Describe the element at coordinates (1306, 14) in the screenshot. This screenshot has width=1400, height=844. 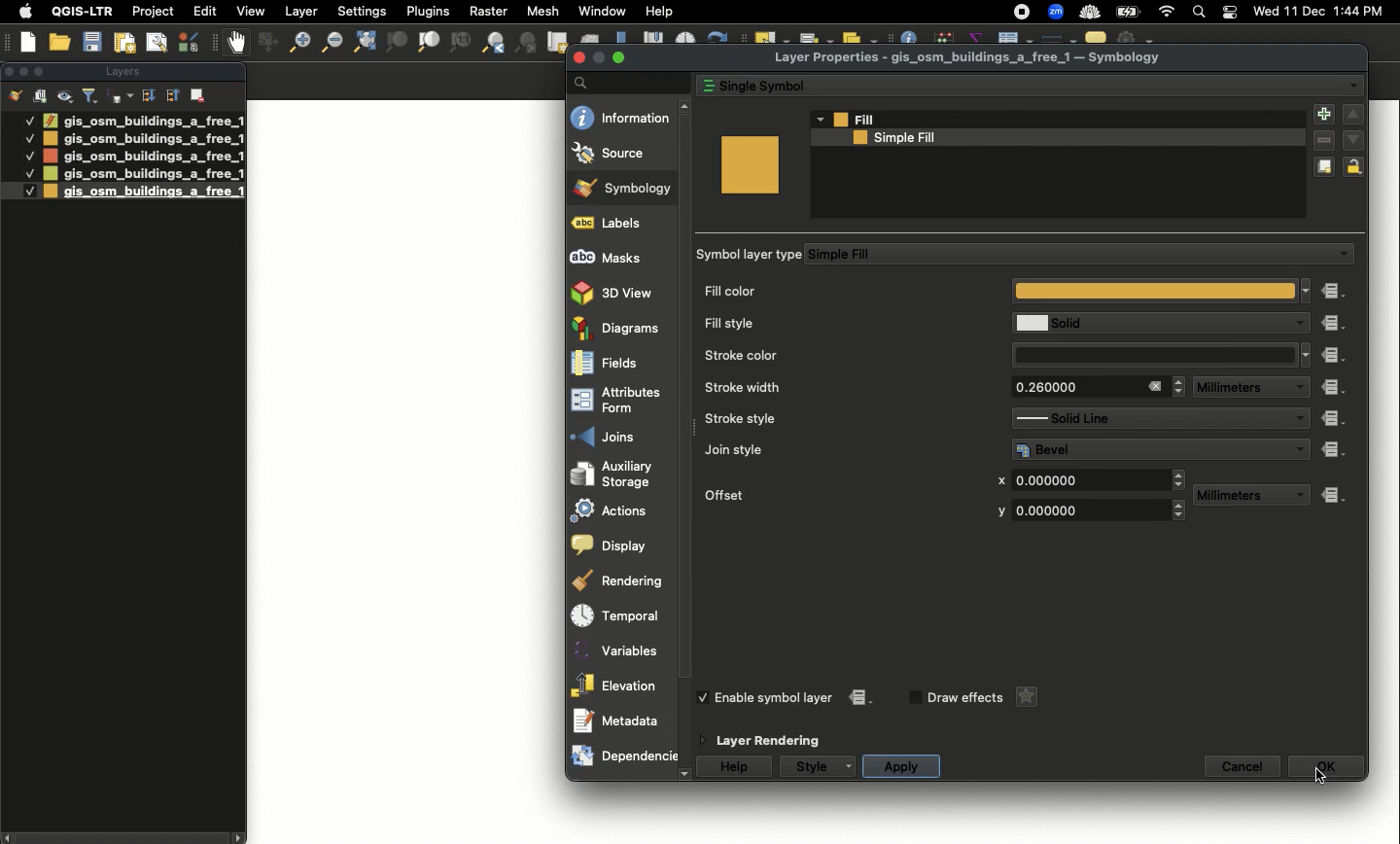
I see `11 Dec` at that location.